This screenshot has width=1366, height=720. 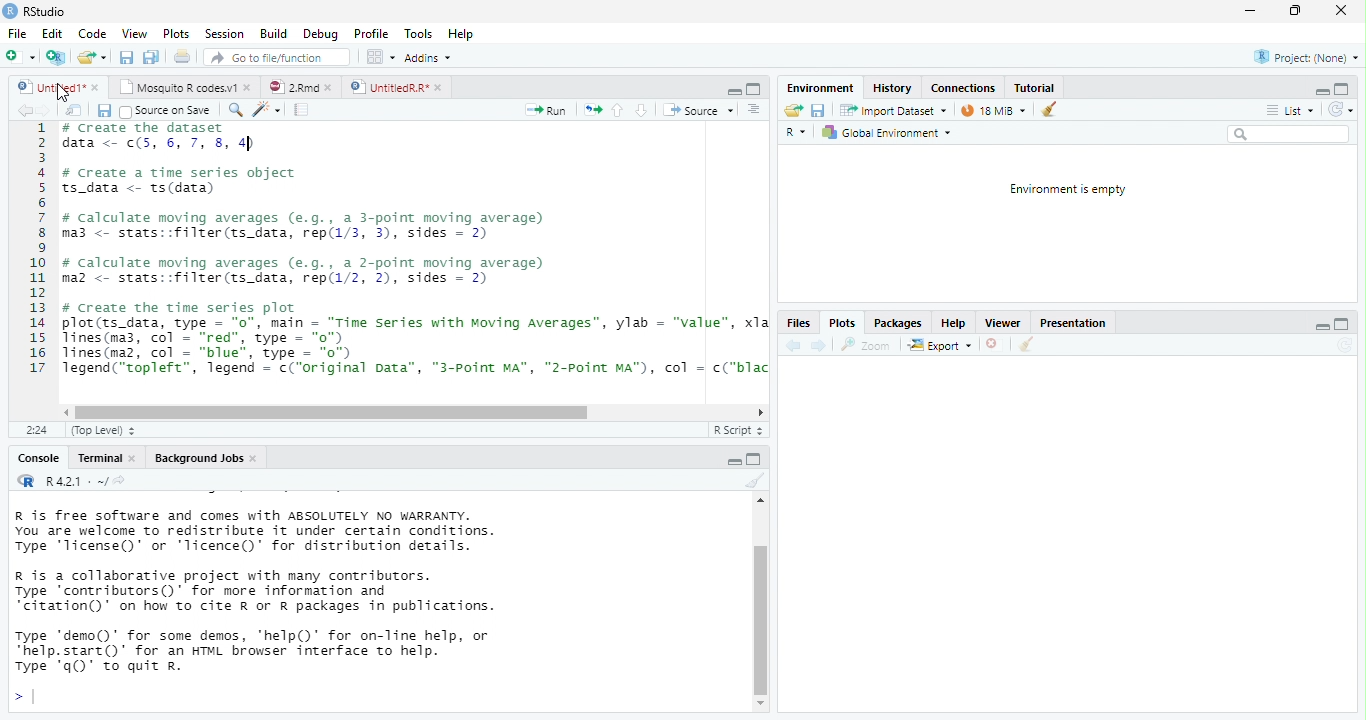 What do you see at coordinates (419, 33) in the screenshot?
I see `Tools` at bounding box center [419, 33].